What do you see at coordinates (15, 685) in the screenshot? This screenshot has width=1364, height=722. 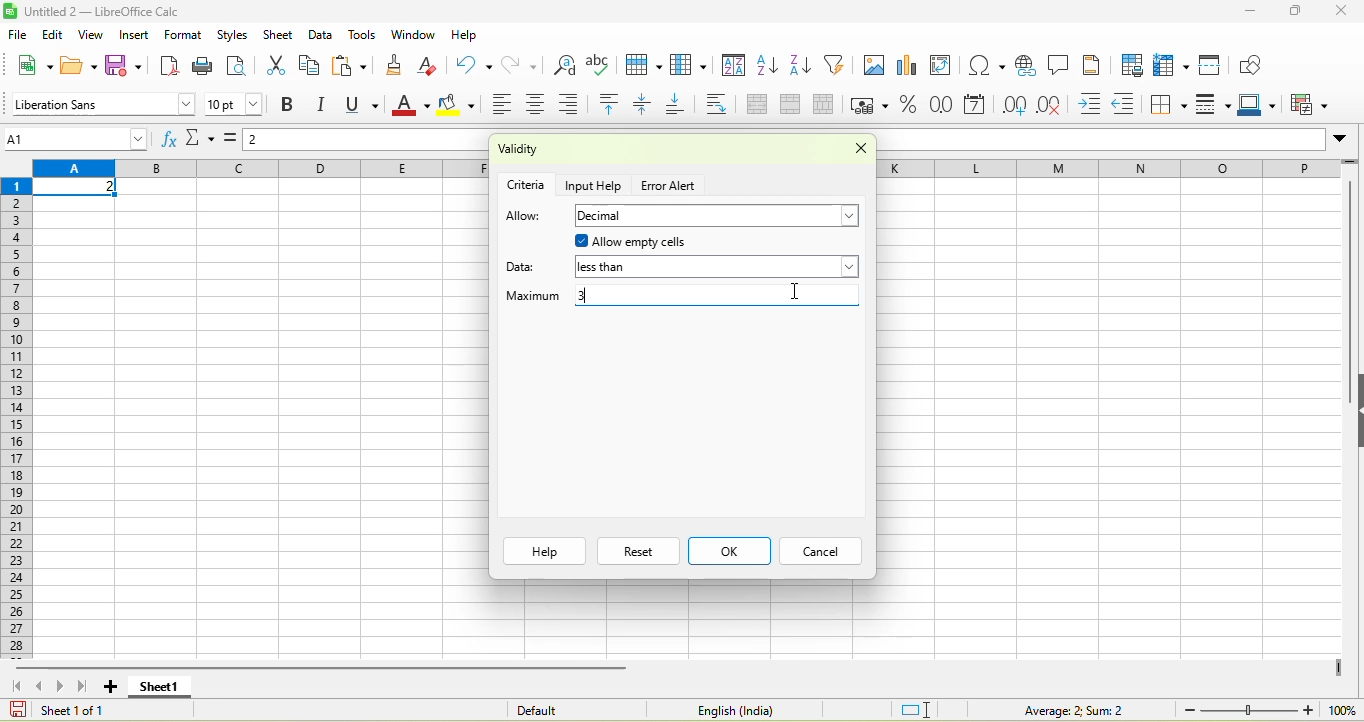 I see `scroll to first sheet` at bounding box center [15, 685].